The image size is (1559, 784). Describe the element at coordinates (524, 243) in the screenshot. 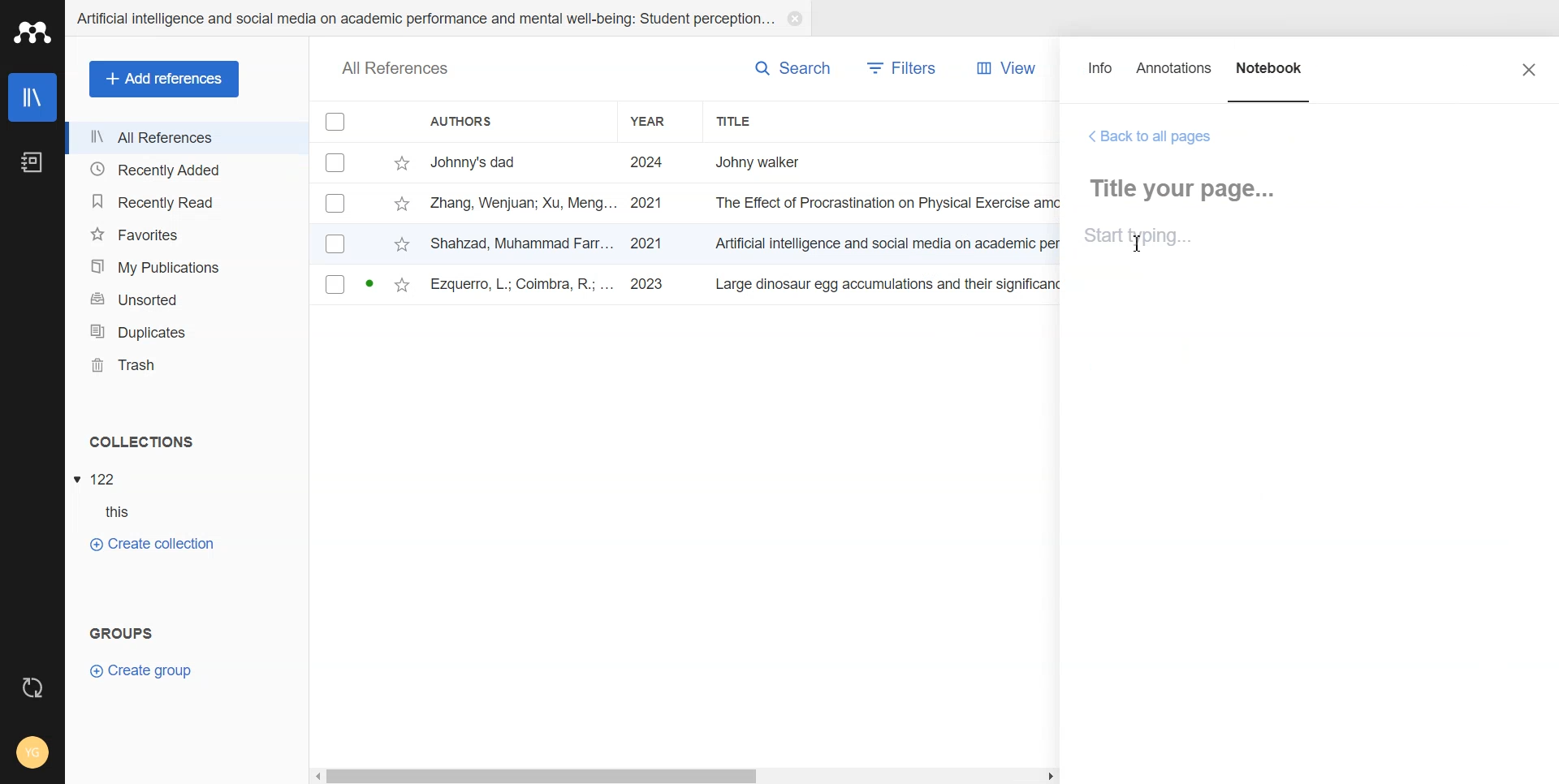

I see `shahzad, muhammad farr...` at that location.